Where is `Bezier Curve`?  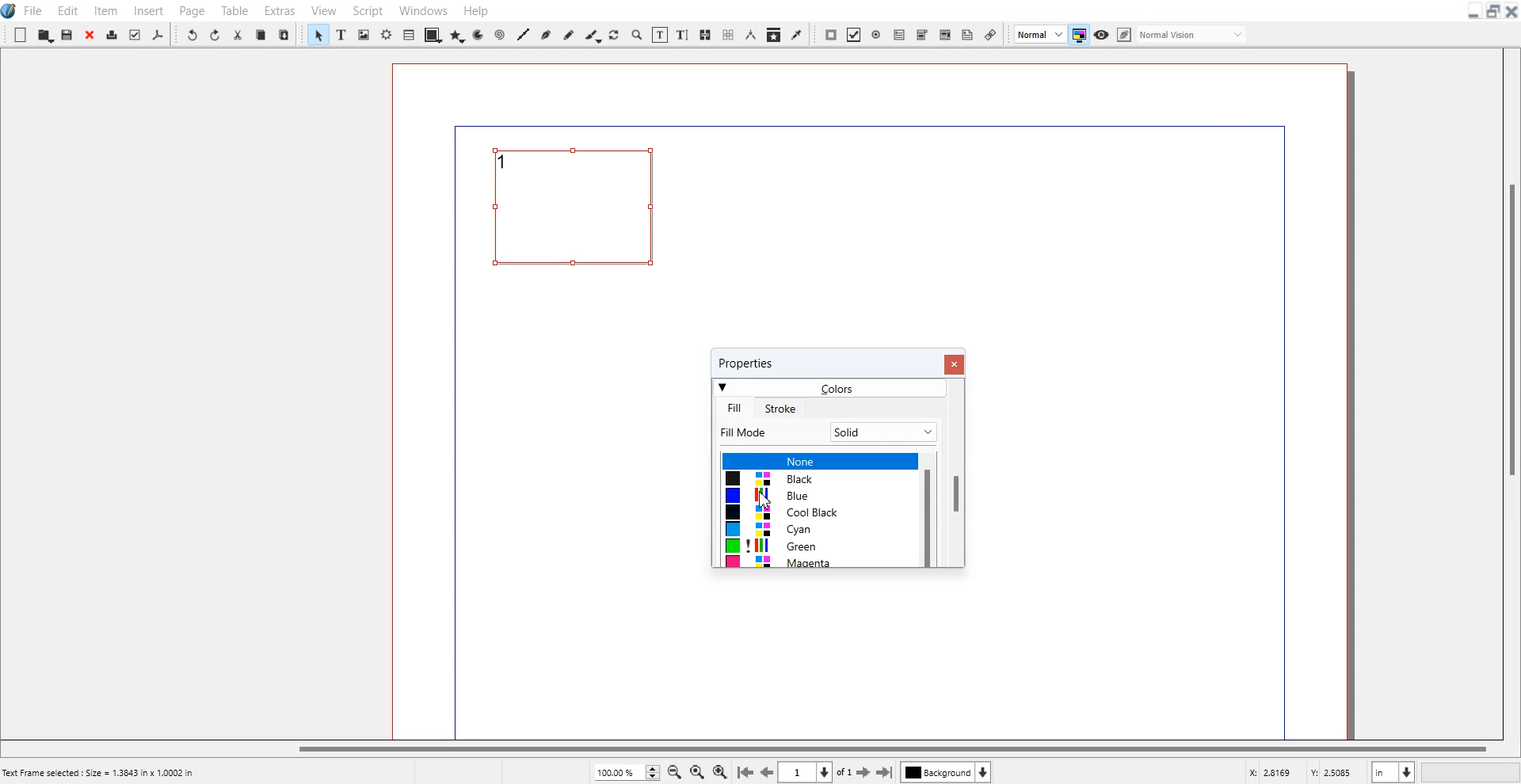 Bezier Curve is located at coordinates (546, 33).